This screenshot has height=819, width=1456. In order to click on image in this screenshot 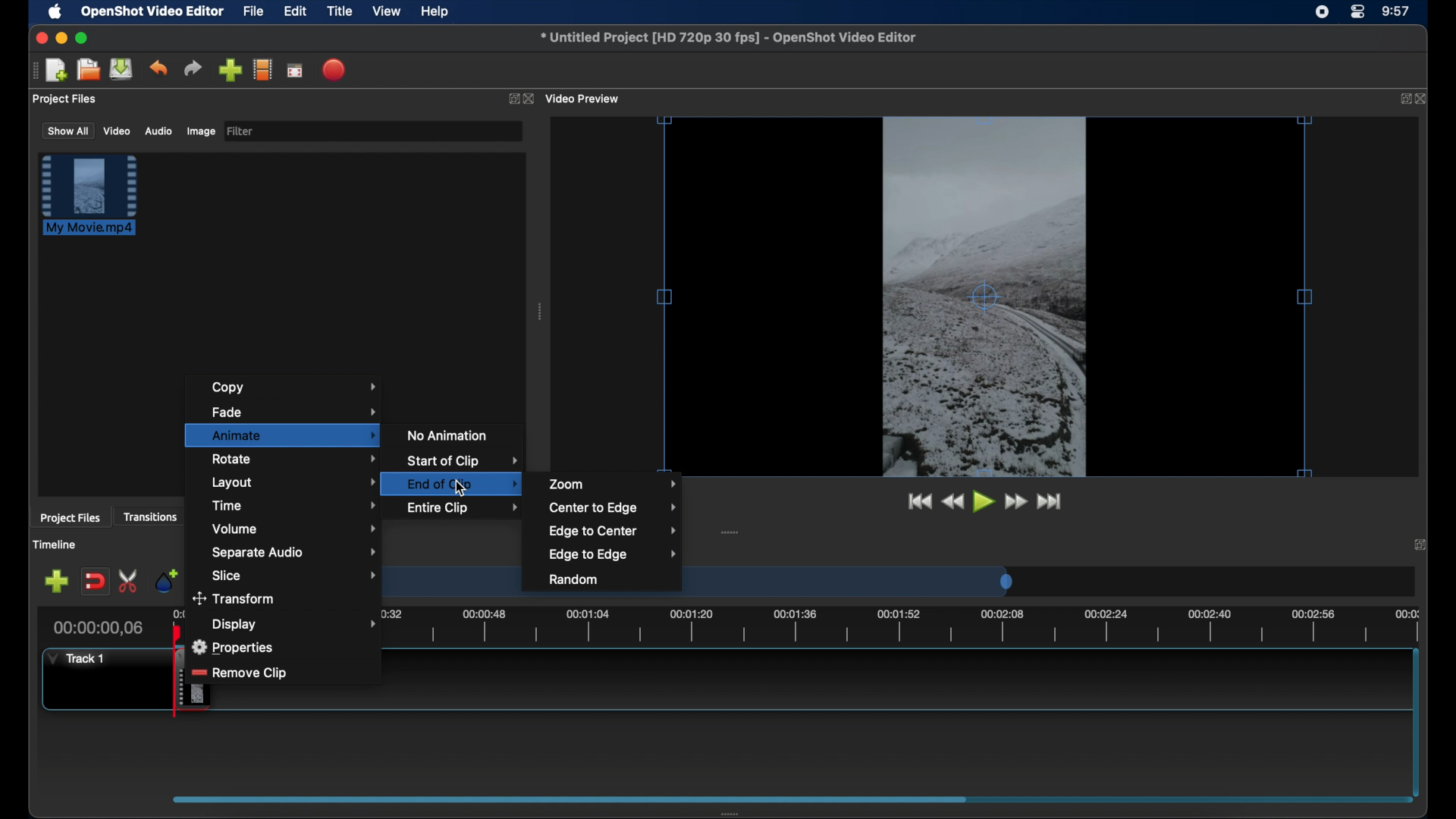, I will do `click(200, 133)`.